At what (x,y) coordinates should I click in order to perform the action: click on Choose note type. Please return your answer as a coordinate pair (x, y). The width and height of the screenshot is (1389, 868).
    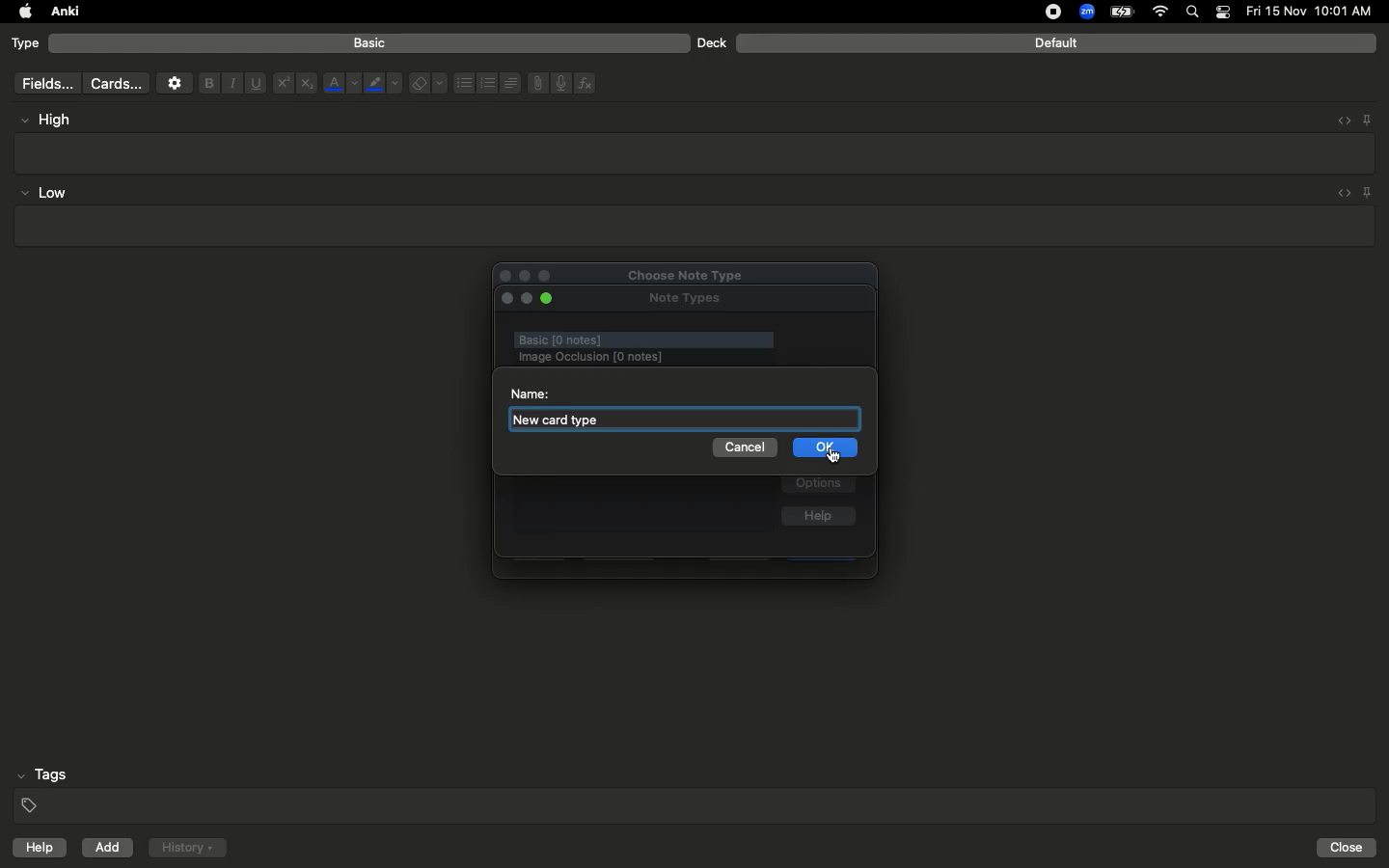
    Looking at the image, I should click on (665, 272).